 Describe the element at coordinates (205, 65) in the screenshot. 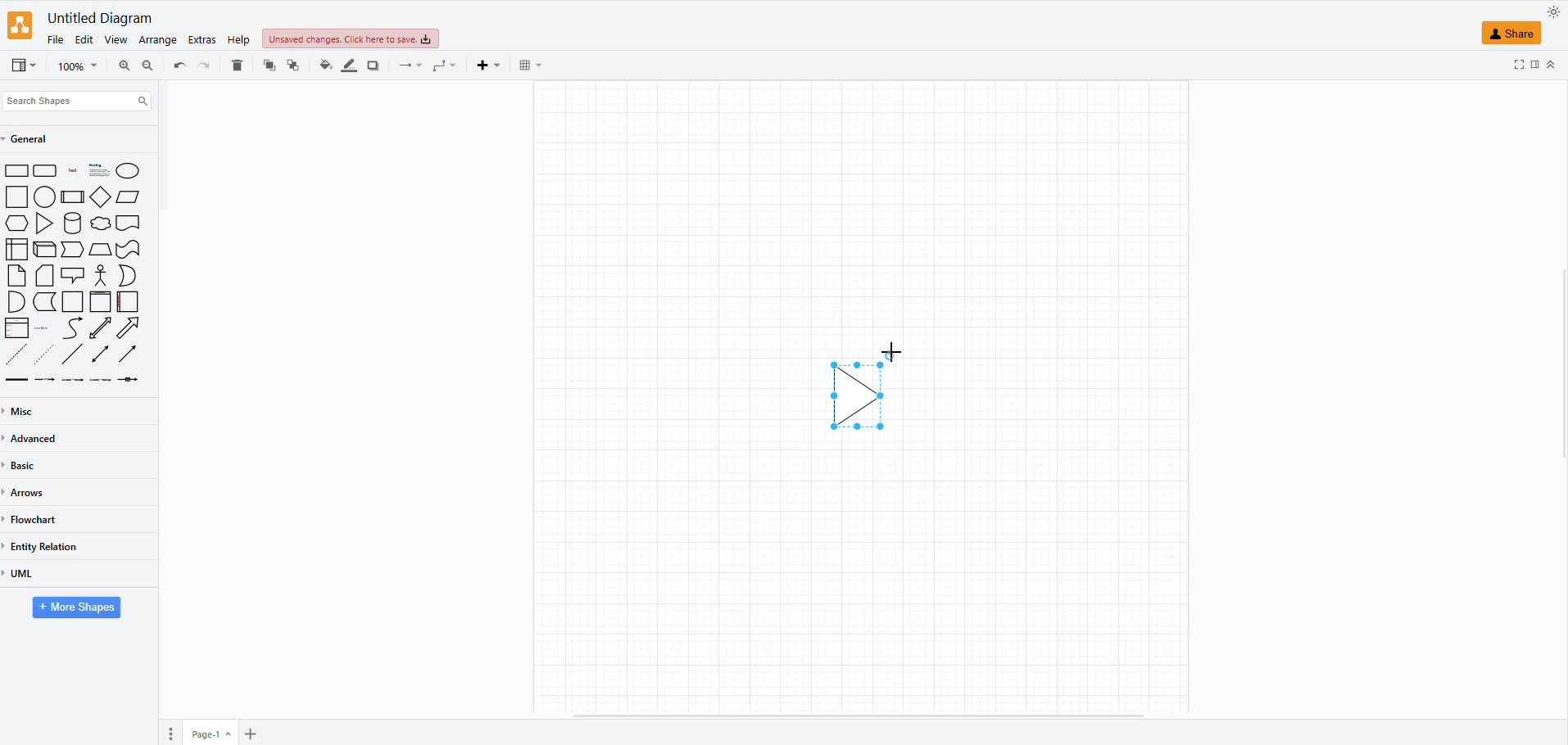

I see `undo` at that location.